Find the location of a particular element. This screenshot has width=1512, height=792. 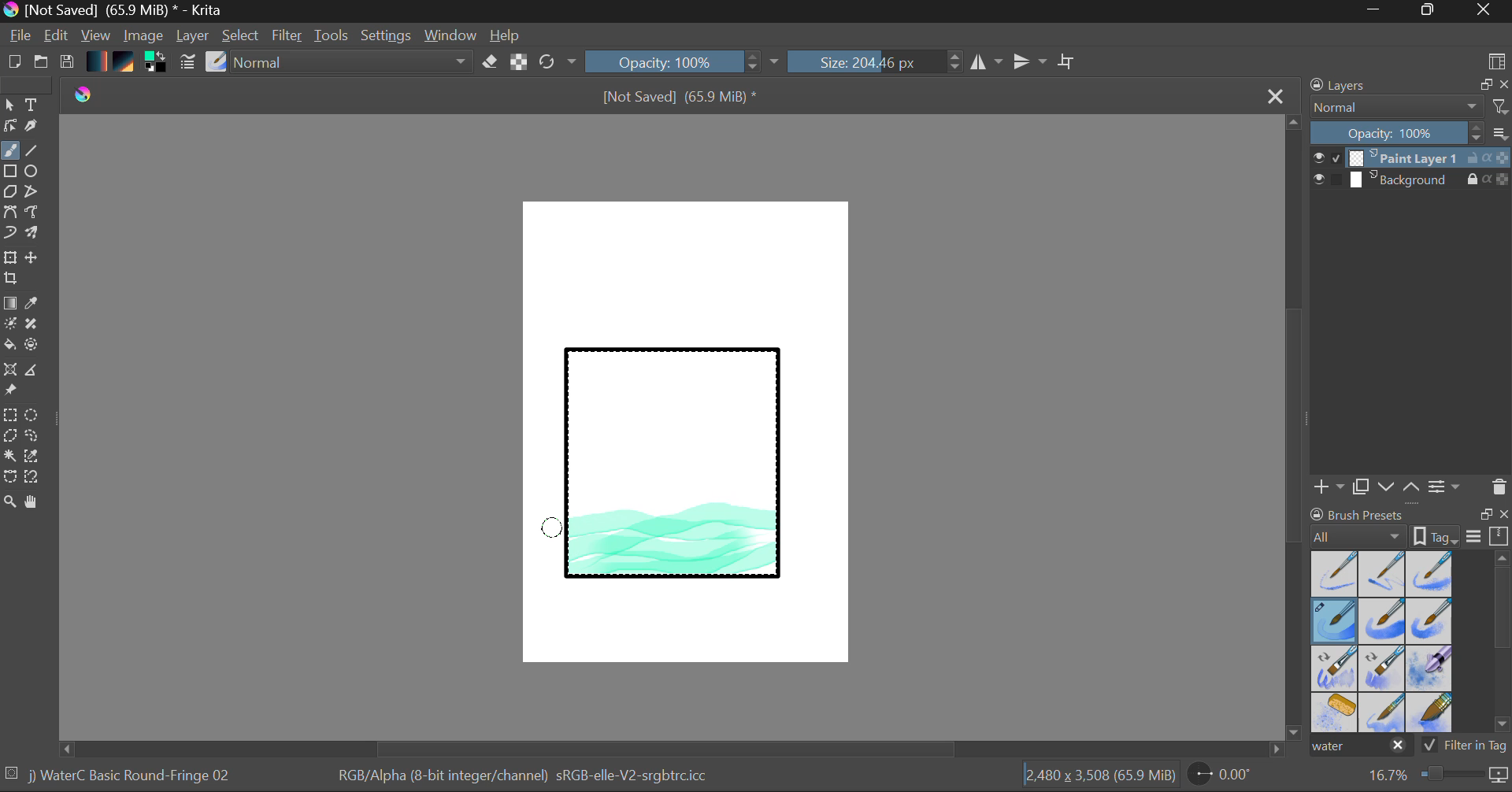

Bezier Curve Selector is located at coordinates (9, 478).